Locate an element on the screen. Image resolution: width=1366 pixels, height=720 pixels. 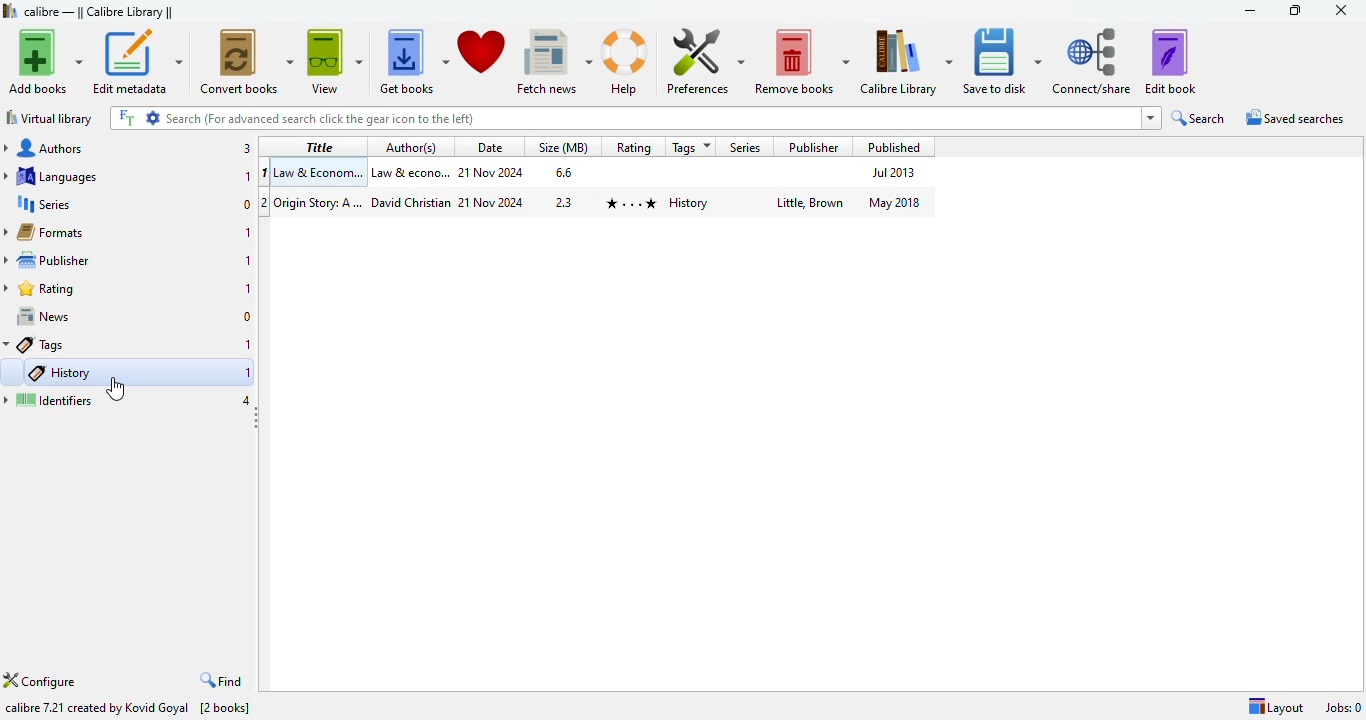
view is located at coordinates (335, 61).